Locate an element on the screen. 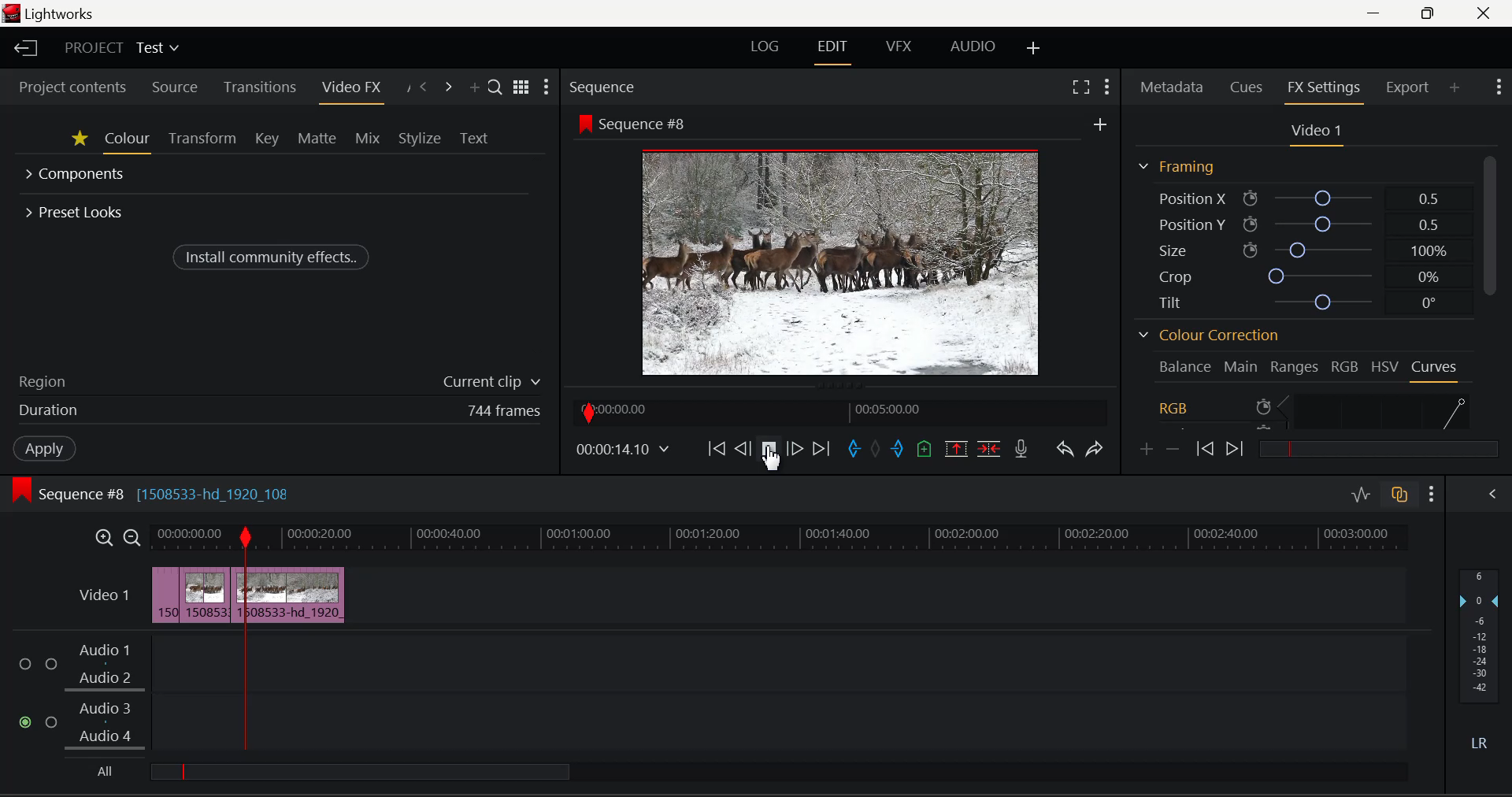 The height and width of the screenshot is (797, 1512). Clip Inserted is located at coordinates (247, 595).